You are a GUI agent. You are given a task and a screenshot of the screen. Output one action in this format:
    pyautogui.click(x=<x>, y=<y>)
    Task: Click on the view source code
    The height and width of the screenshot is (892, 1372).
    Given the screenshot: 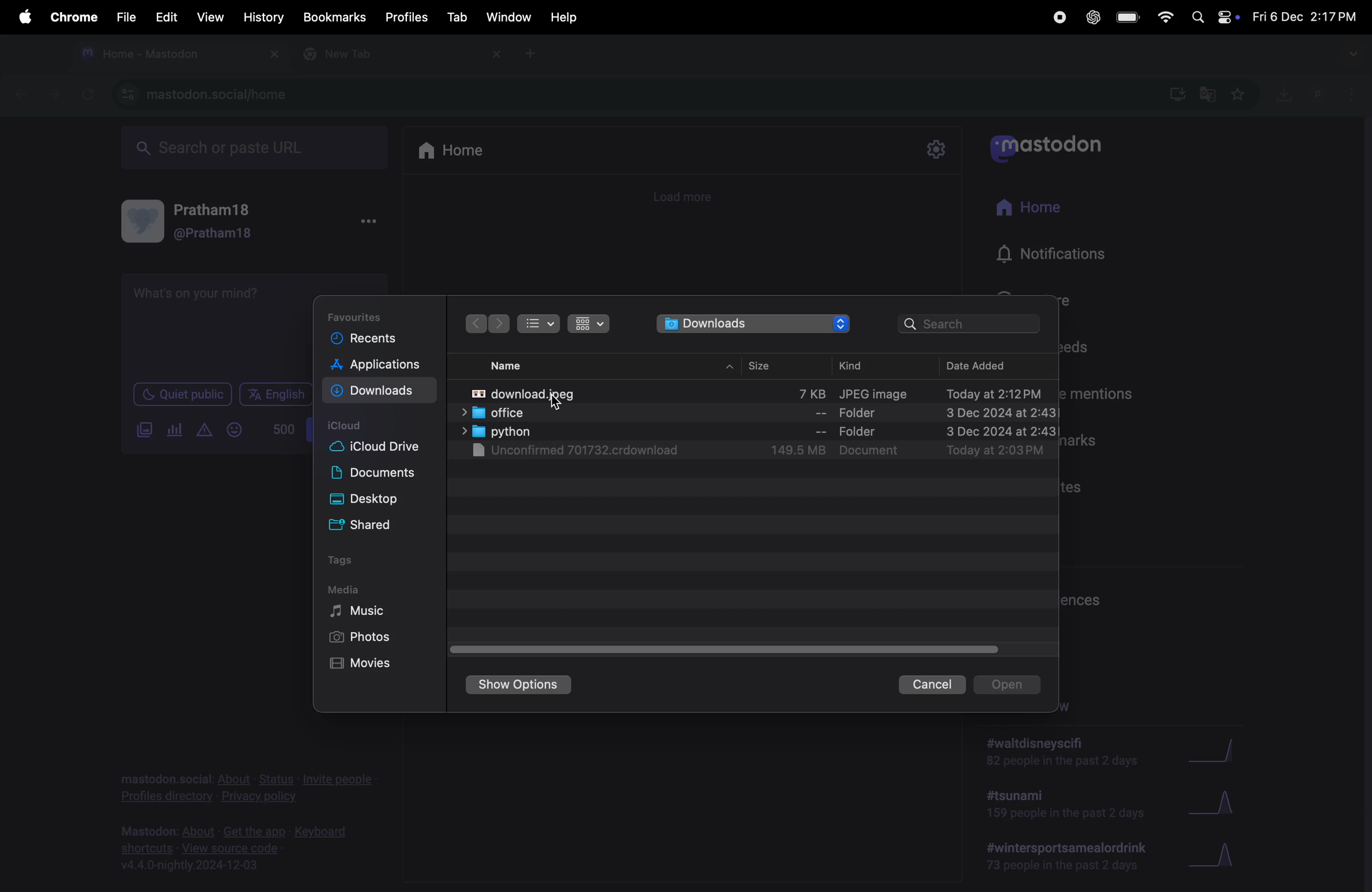 What is the action you would take?
    pyautogui.click(x=237, y=852)
    